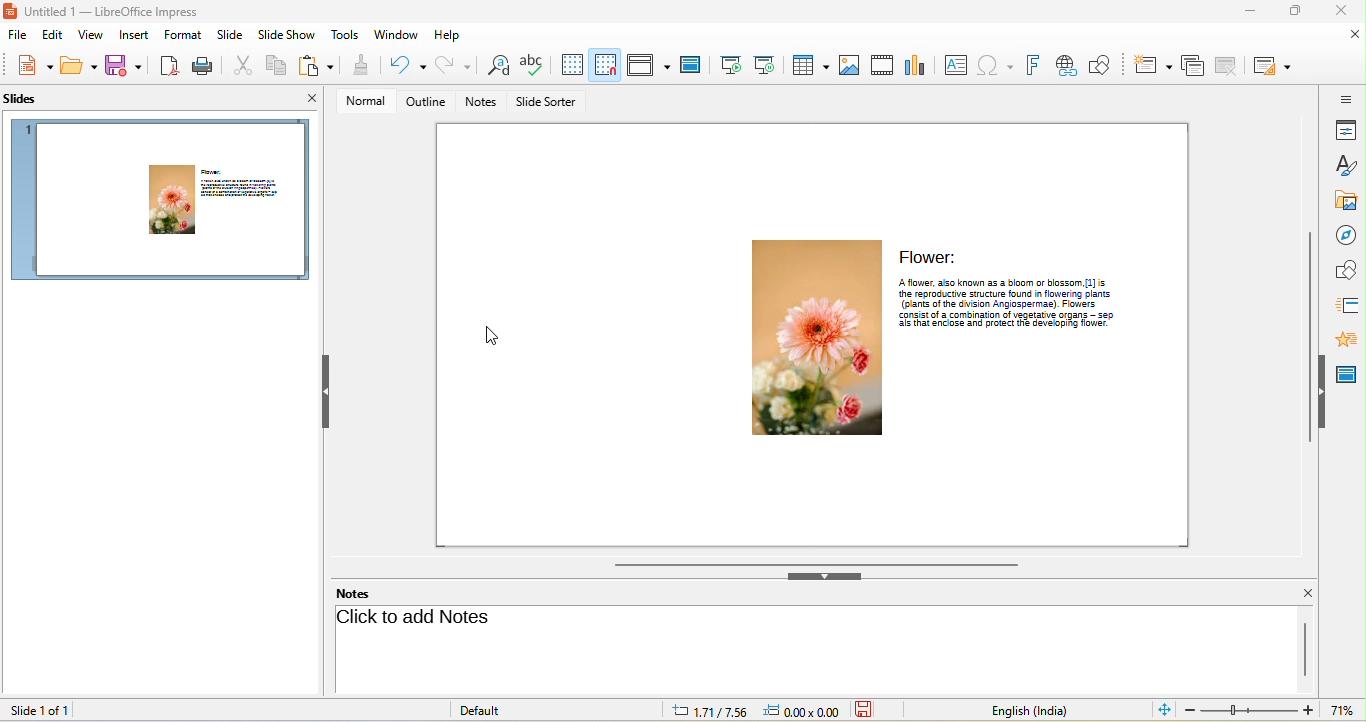 This screenshot has width=1366, height=722. What do you see at coordinates (314, 64) in the screenshot?
I see `paste` at bounding box center [314, 64].